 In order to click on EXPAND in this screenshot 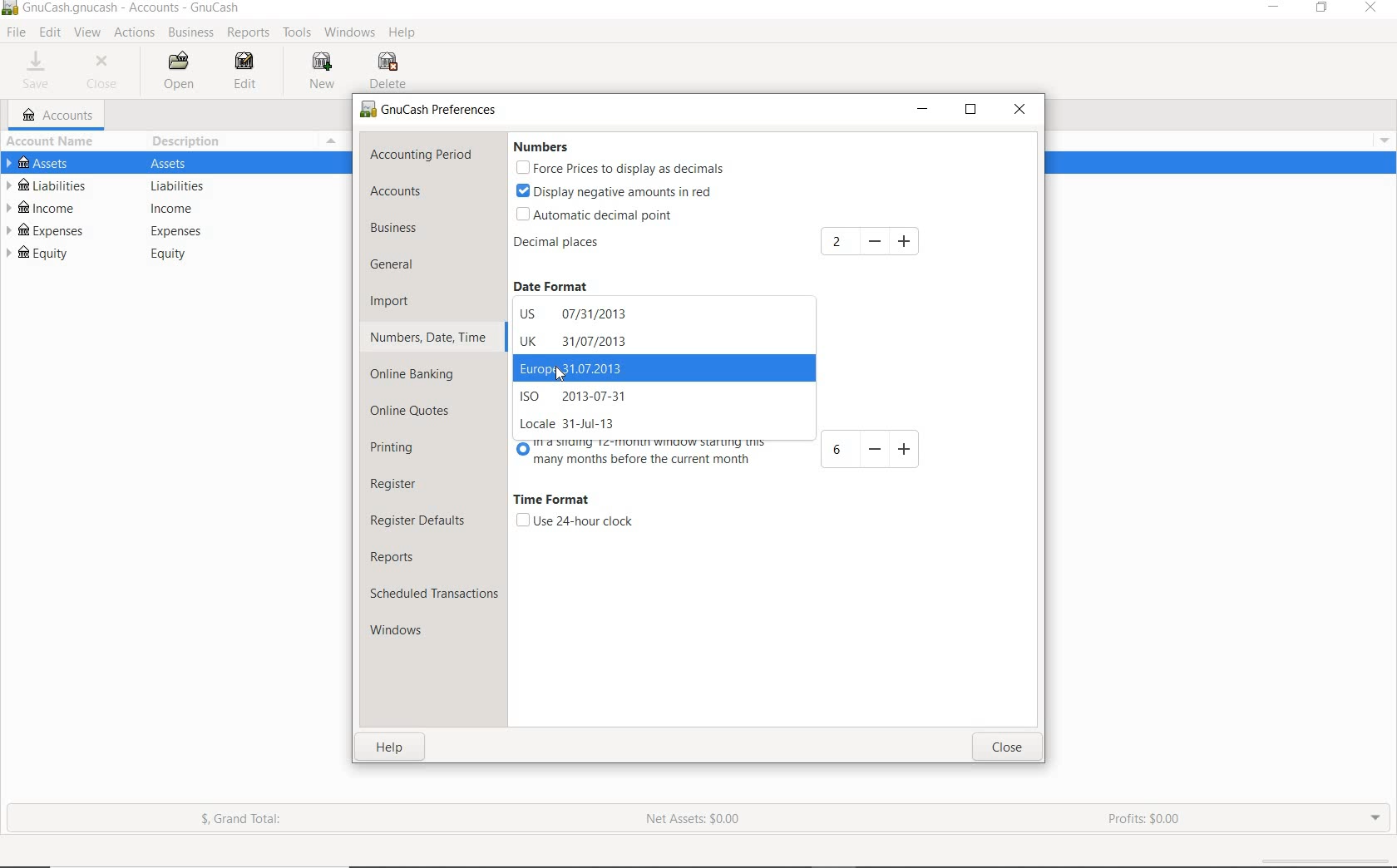, I will do `click(1374, 816)`.